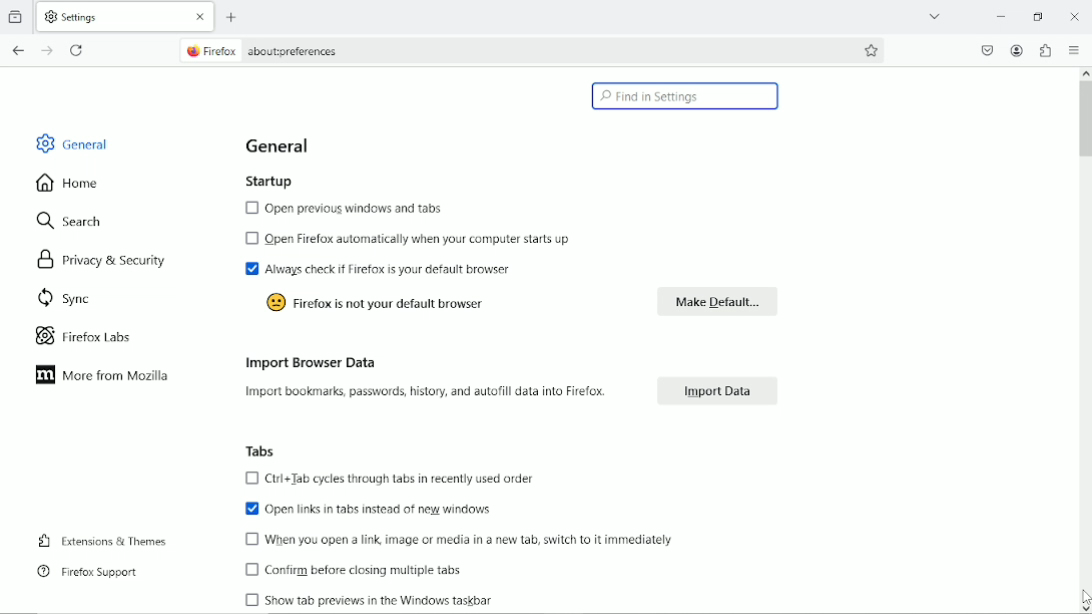 This screenshot has width=1092, height=614. Describe the element at coordinates (1074, 52) in the screenshot. I see `open application menu` at that location.